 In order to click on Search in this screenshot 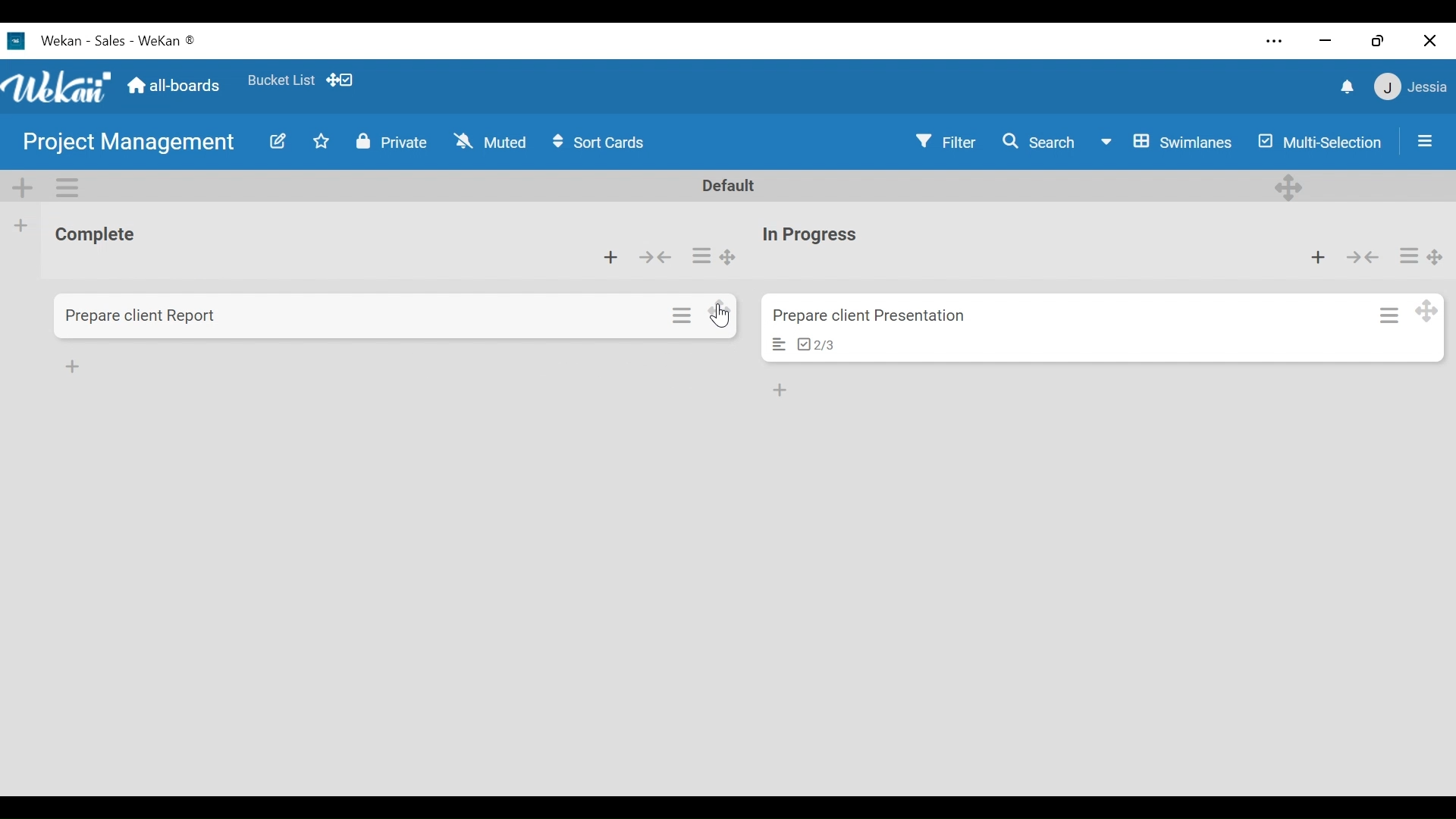, I will do `click(1041, 143)`.